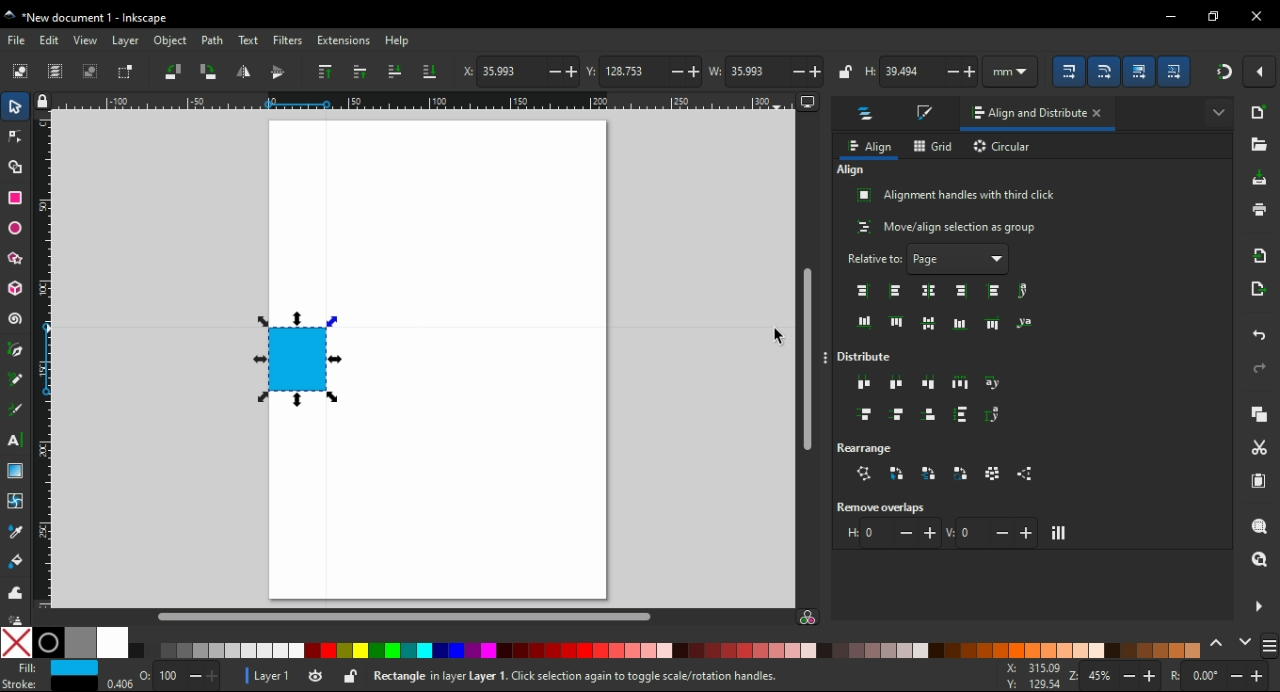  I want to click on Horizontal ruler, so click(424, 101).